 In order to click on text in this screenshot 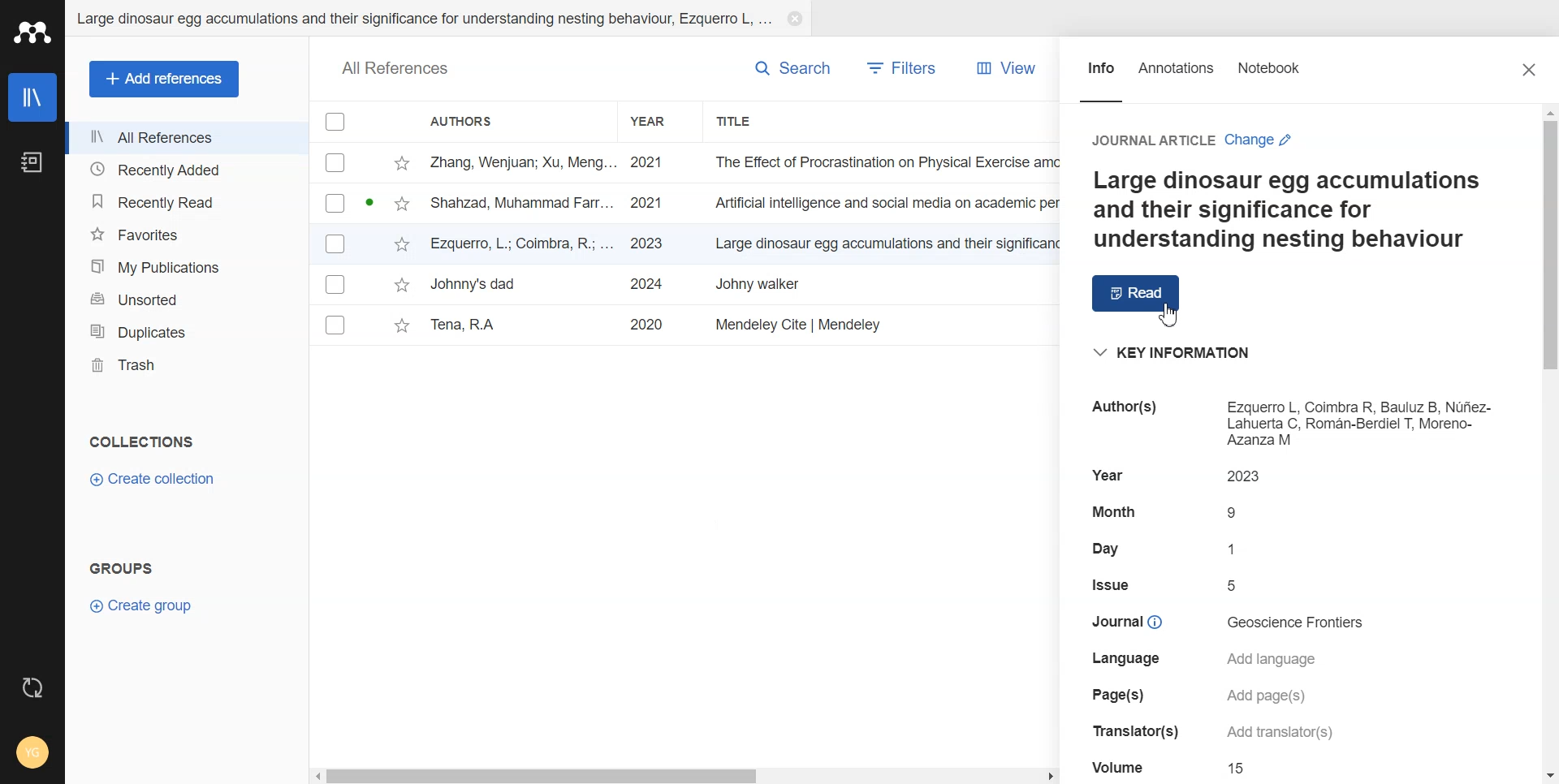, I will do `click(1267, 697)`.